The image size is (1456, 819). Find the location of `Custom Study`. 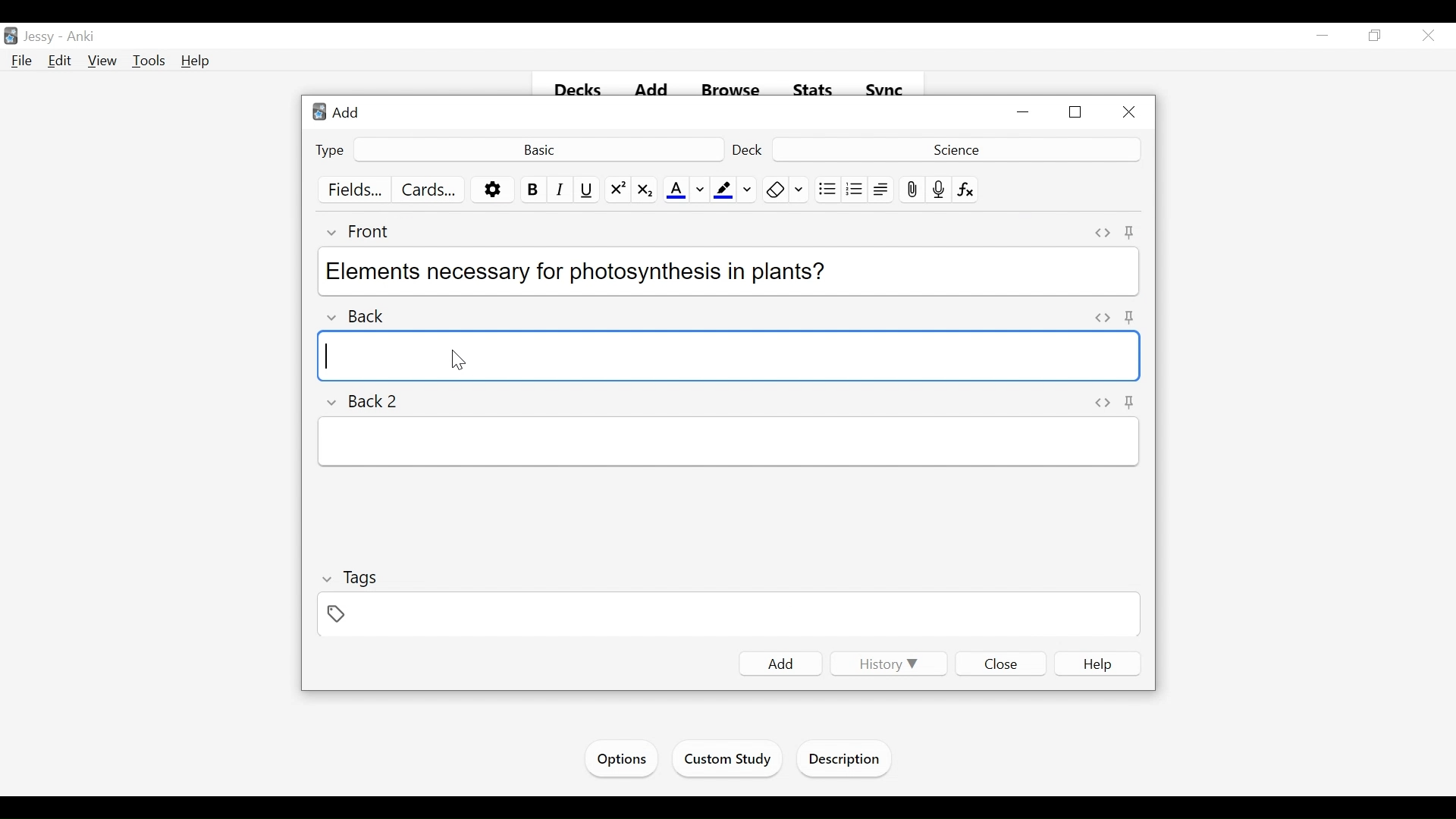

Custom Study is located at coordinates (729, 761).